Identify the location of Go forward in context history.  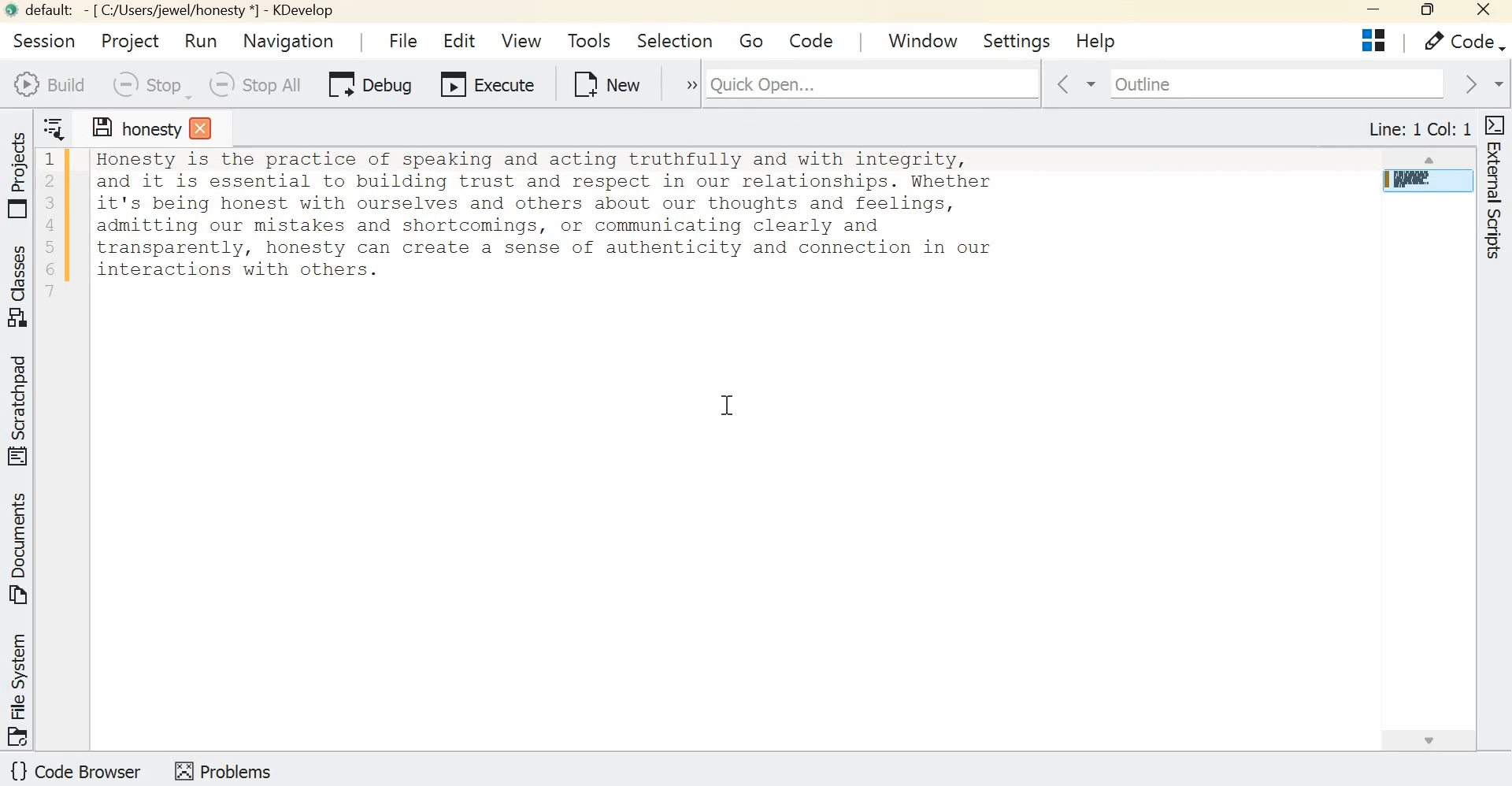
(1480, 83).